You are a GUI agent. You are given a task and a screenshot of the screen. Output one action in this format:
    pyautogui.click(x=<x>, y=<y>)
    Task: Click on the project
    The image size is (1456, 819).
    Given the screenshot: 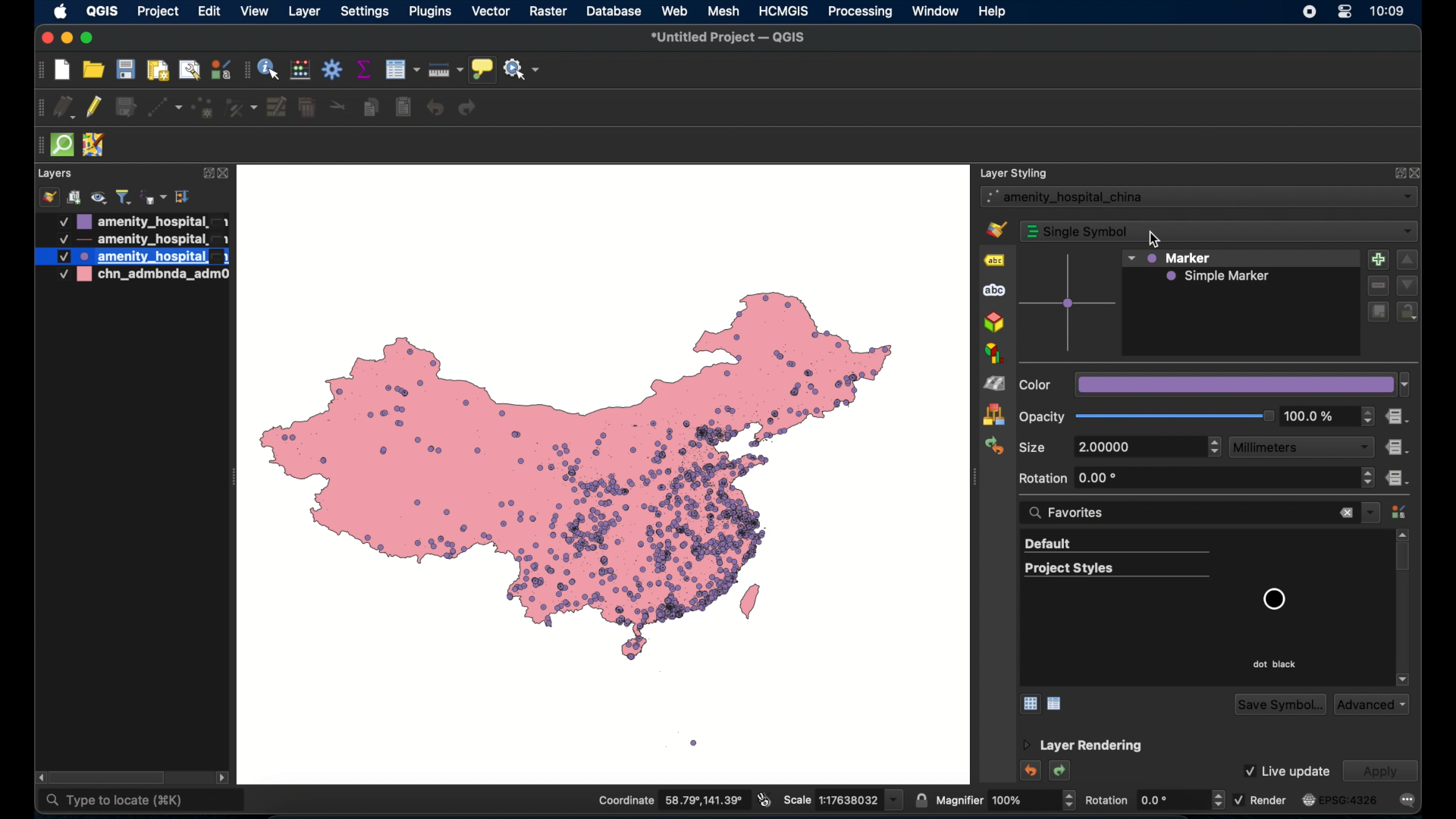 What is the action you would take?
    pyautogui.click(x=157, y=13)
    